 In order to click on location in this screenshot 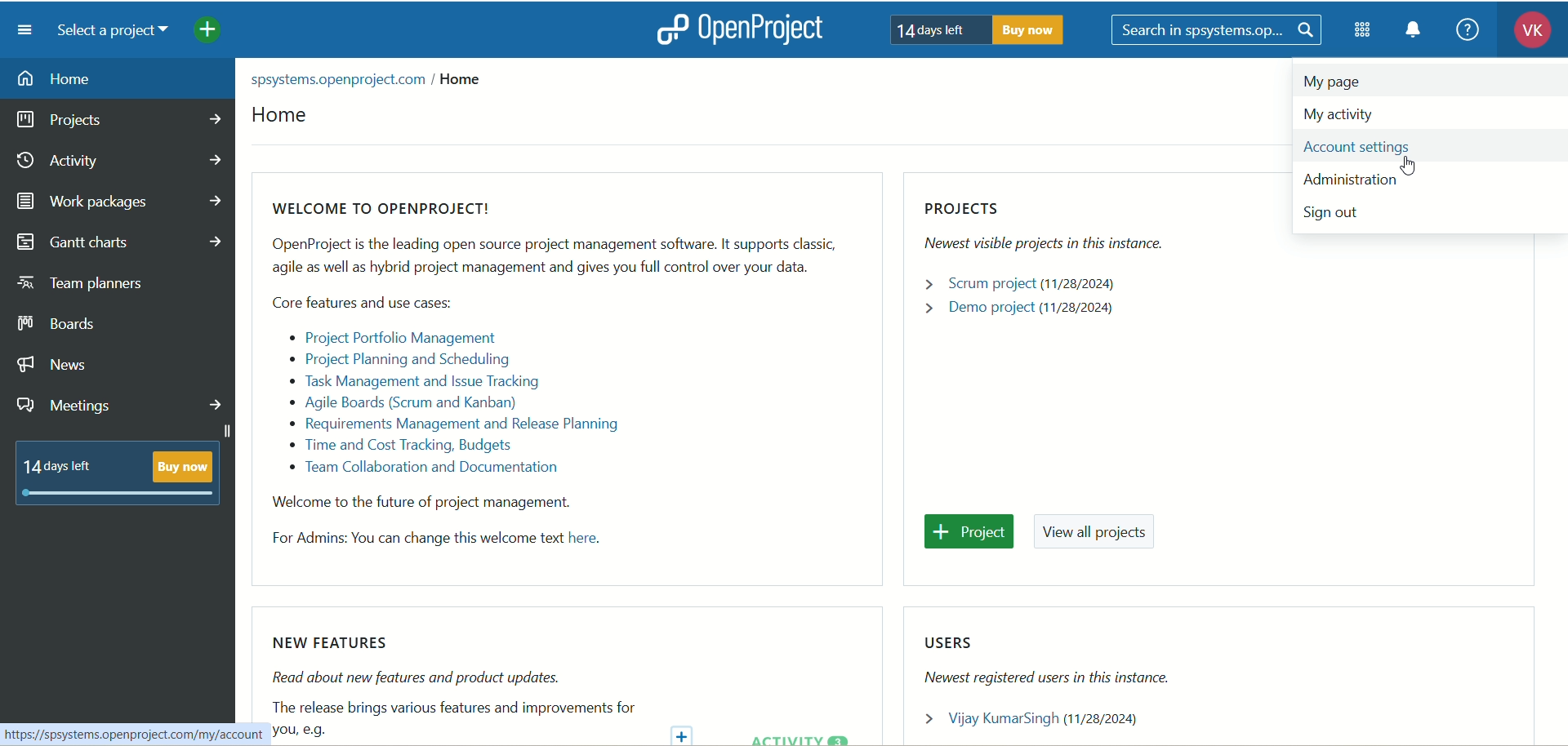, I will do `click(375, 80)`.